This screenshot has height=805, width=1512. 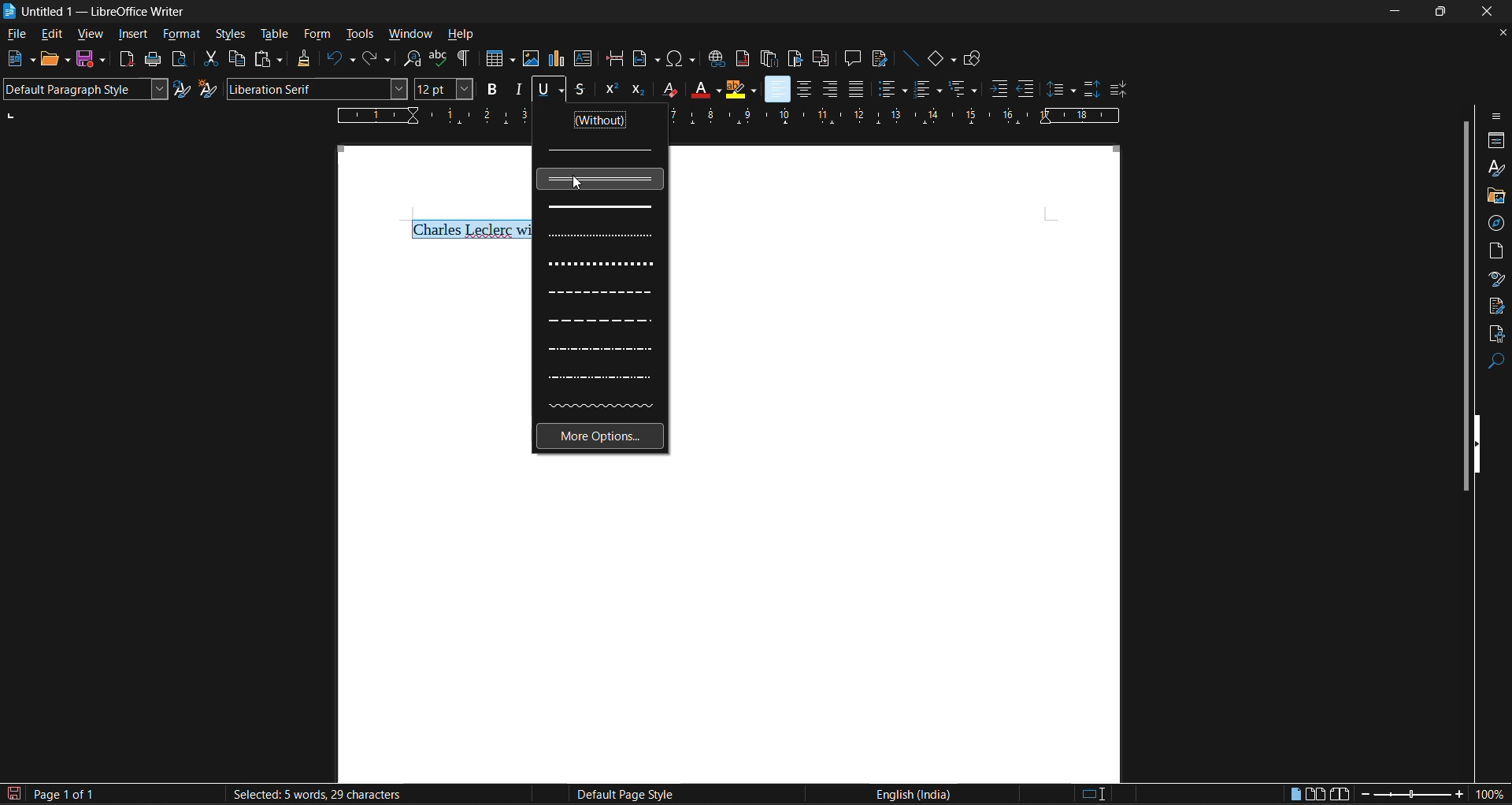 What do you see at coordinates (911, 793) in the screenshot?
I see `text language` at bounding box center [911, 793].